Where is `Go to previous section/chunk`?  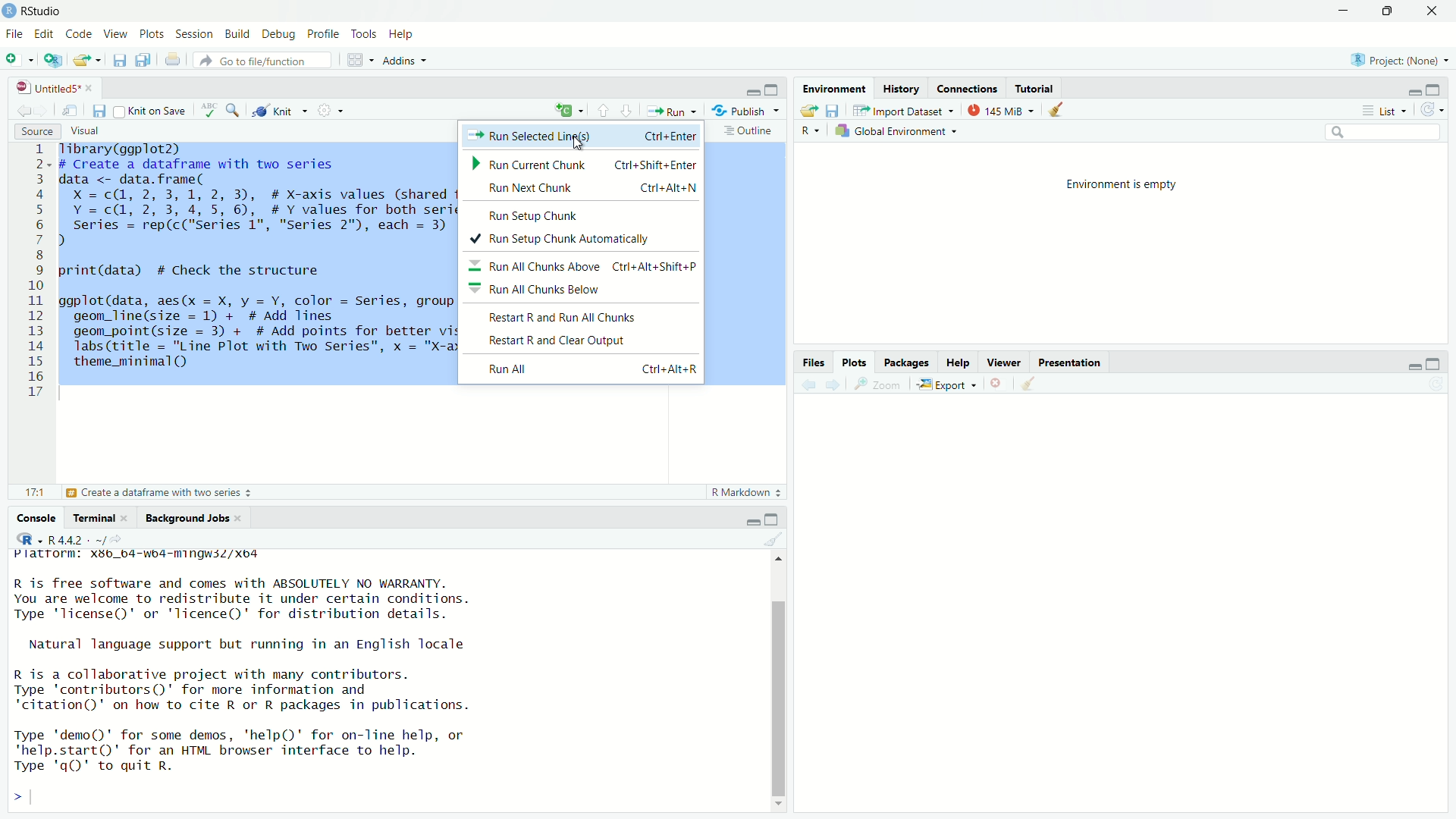 Go to previous section/chunk is located at coordinates (604, 111).